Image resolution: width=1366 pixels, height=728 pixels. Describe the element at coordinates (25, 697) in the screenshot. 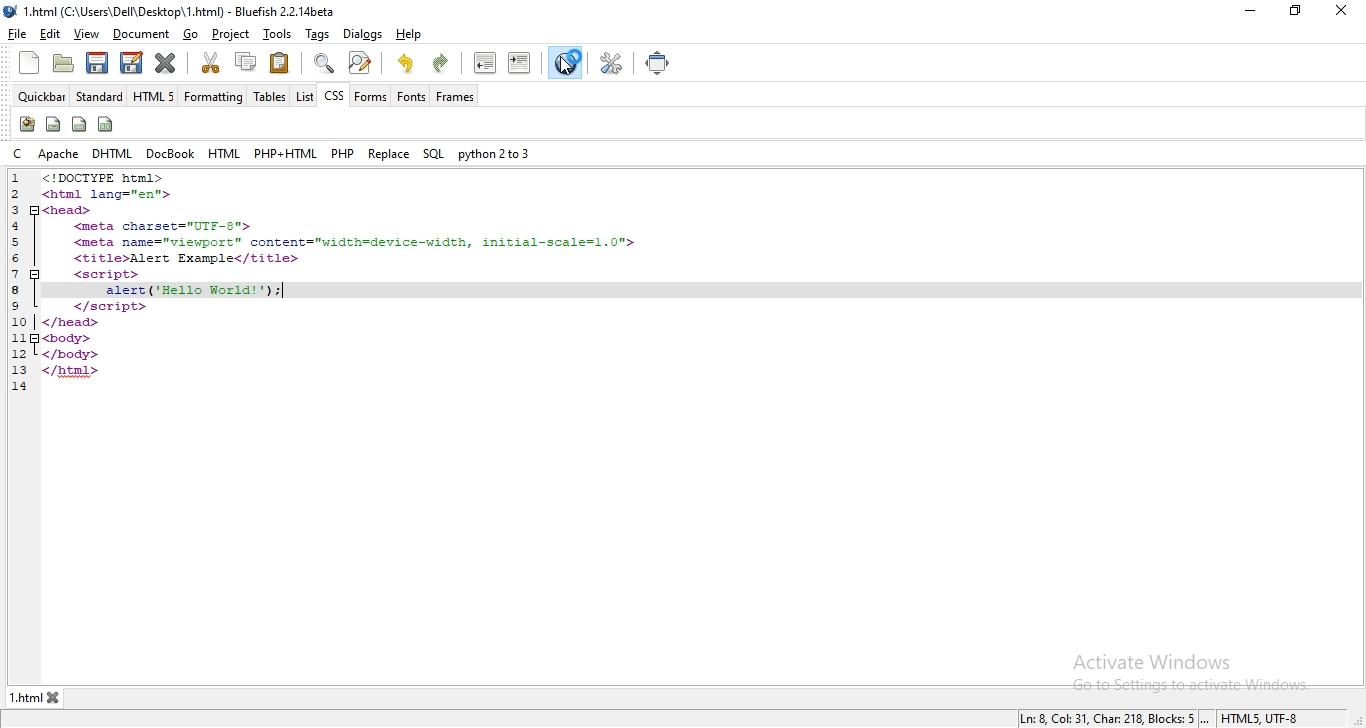

I see `1.html` at that location.